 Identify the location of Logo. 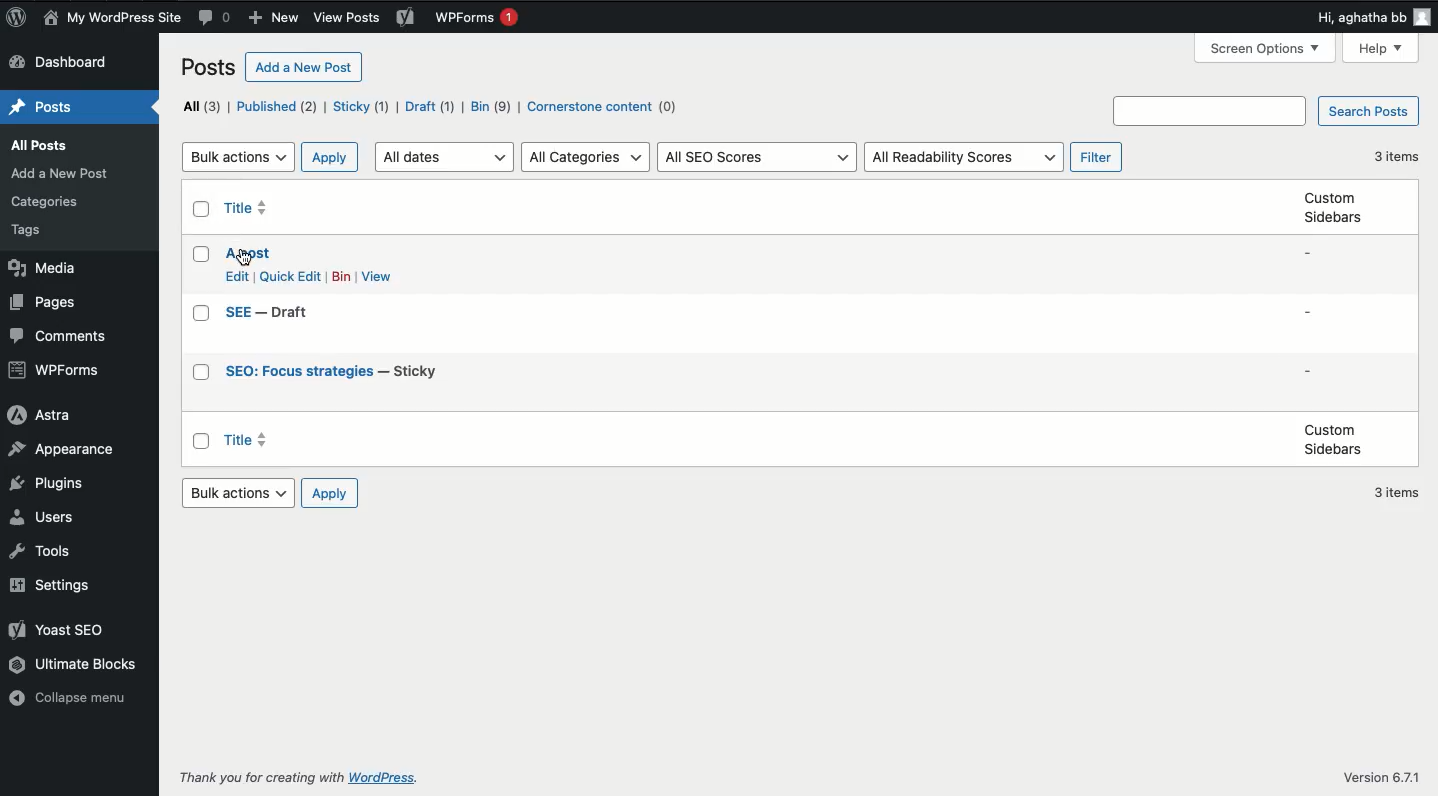
(18, 18).